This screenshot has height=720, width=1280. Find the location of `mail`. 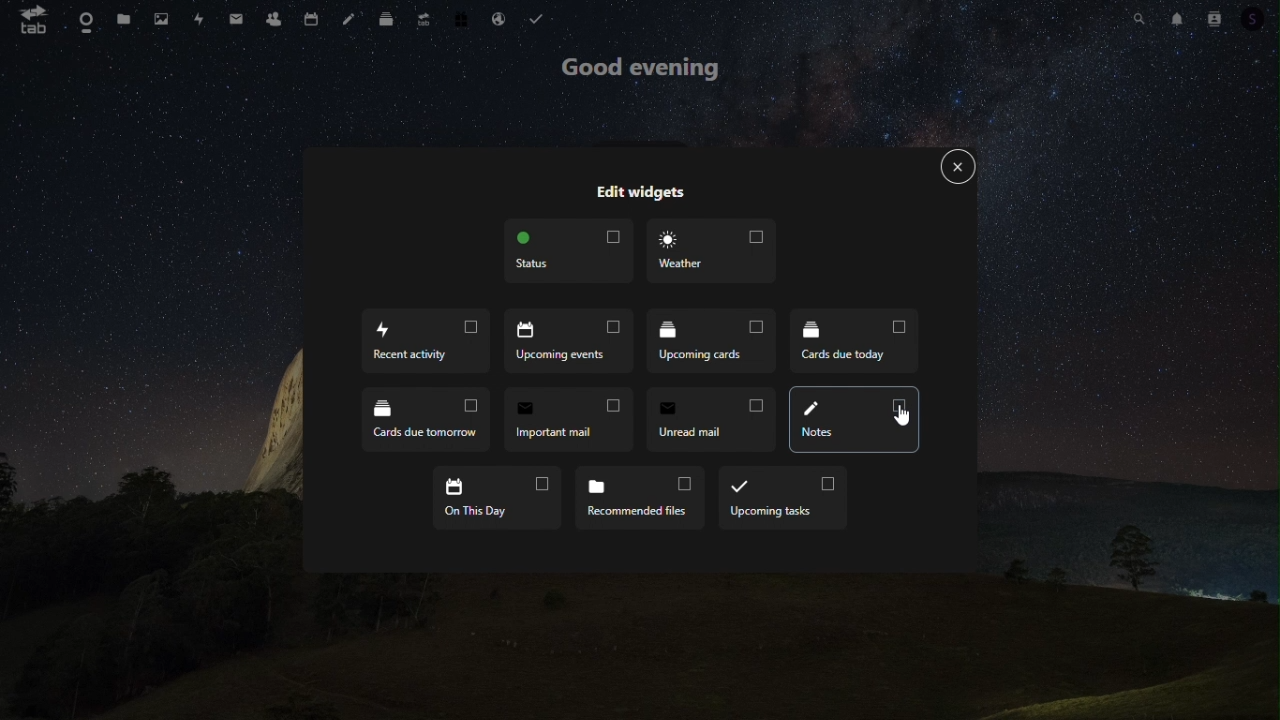

mail is located at coordinates (235, 22).